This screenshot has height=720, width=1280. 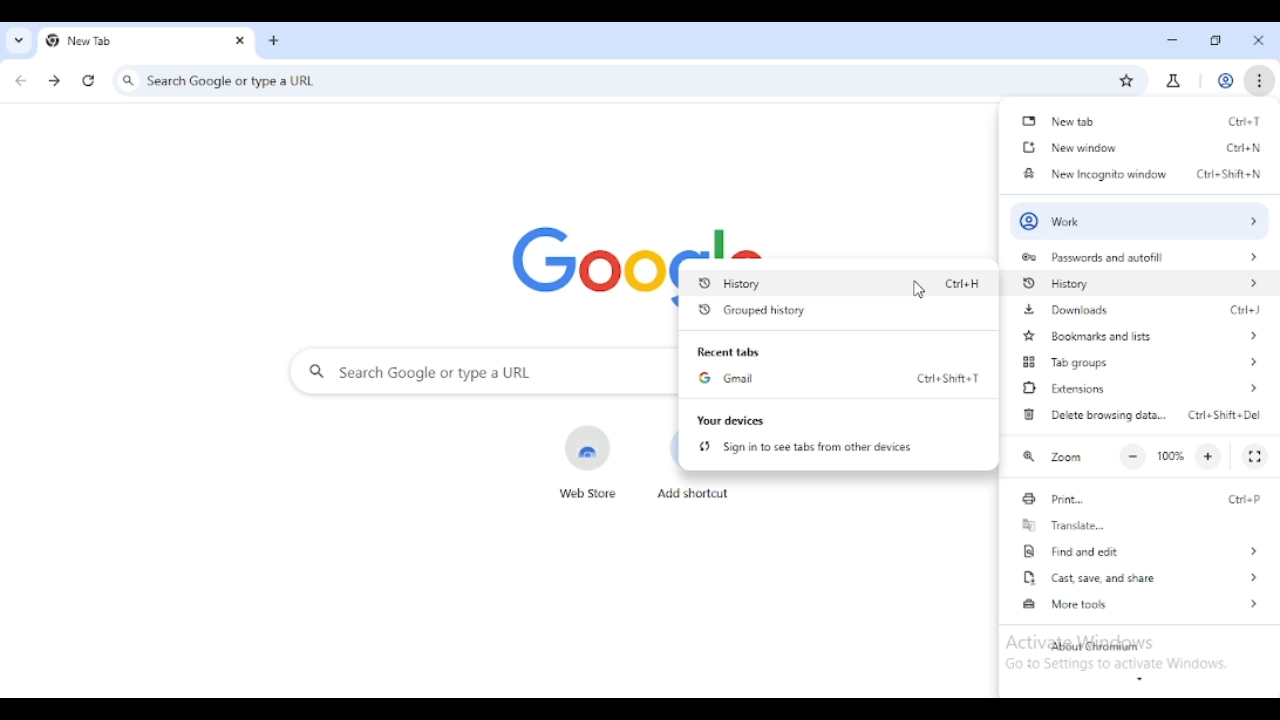 What do you see at coordinates (594, 80) in the screenshot?
I see `search google or type a URL` at bounding box center [594, 80].